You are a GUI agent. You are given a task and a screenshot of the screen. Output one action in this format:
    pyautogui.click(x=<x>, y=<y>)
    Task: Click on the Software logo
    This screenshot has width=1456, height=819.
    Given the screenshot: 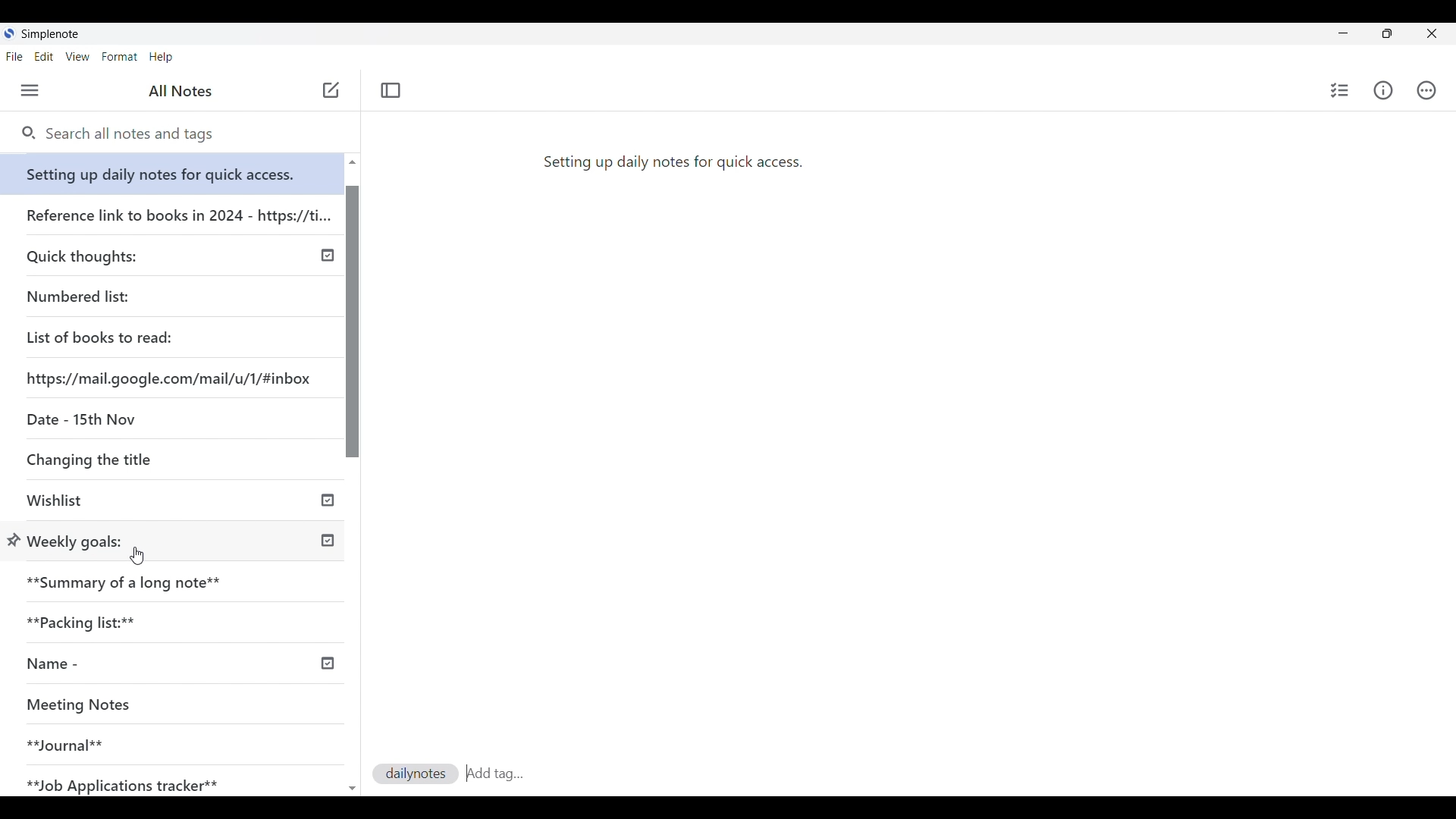 What is the action you would take?
    pyautogui.click(x=10, y=33)
    